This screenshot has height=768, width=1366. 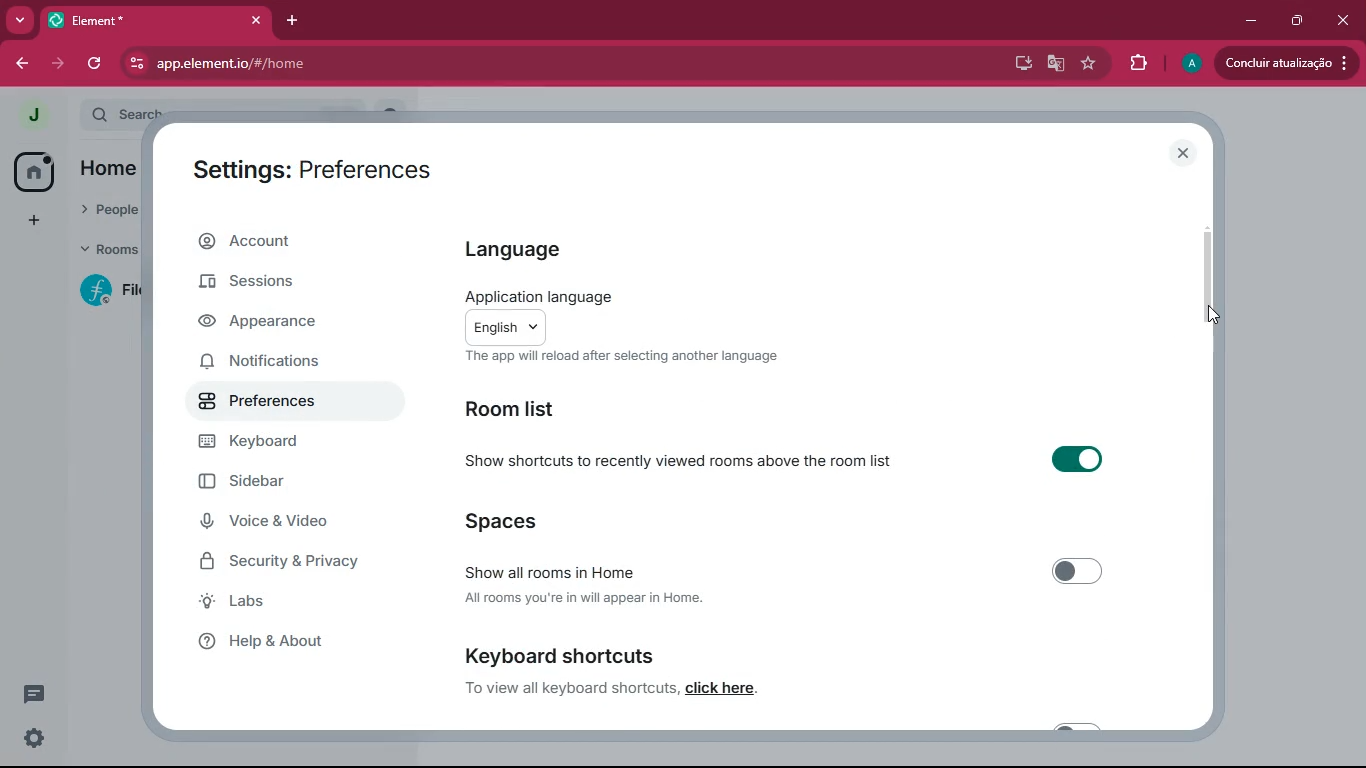 I want to click on more, so click(x=19, y=20).